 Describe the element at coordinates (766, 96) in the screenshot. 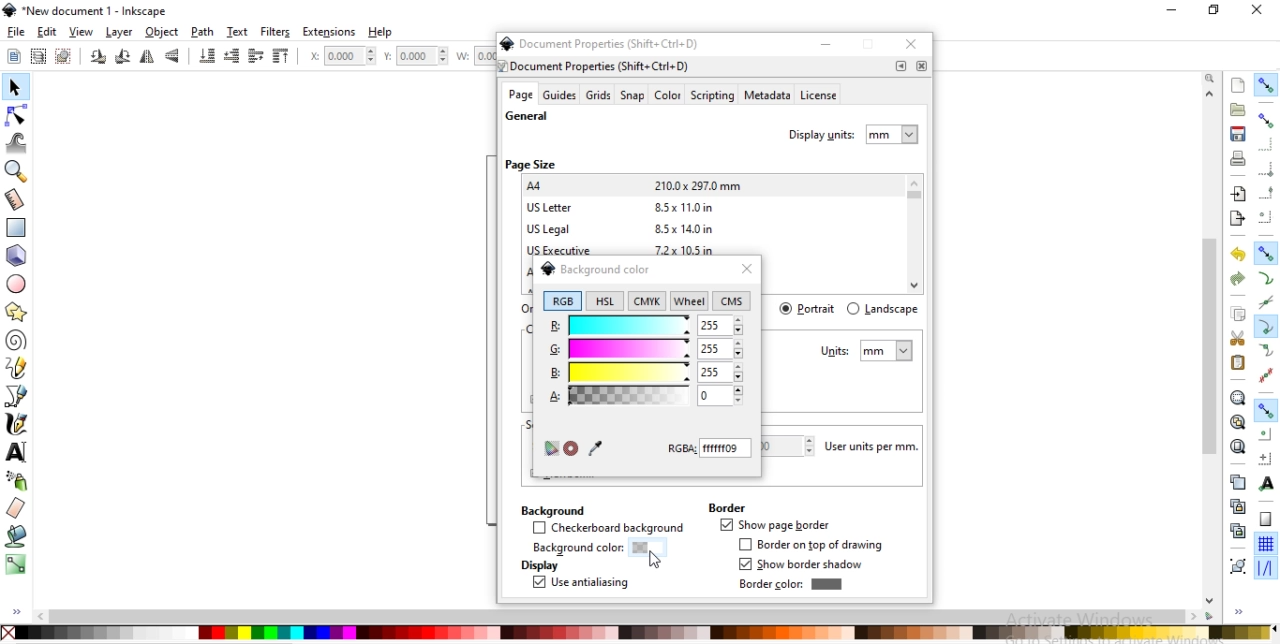

I see `metadata` at that location.